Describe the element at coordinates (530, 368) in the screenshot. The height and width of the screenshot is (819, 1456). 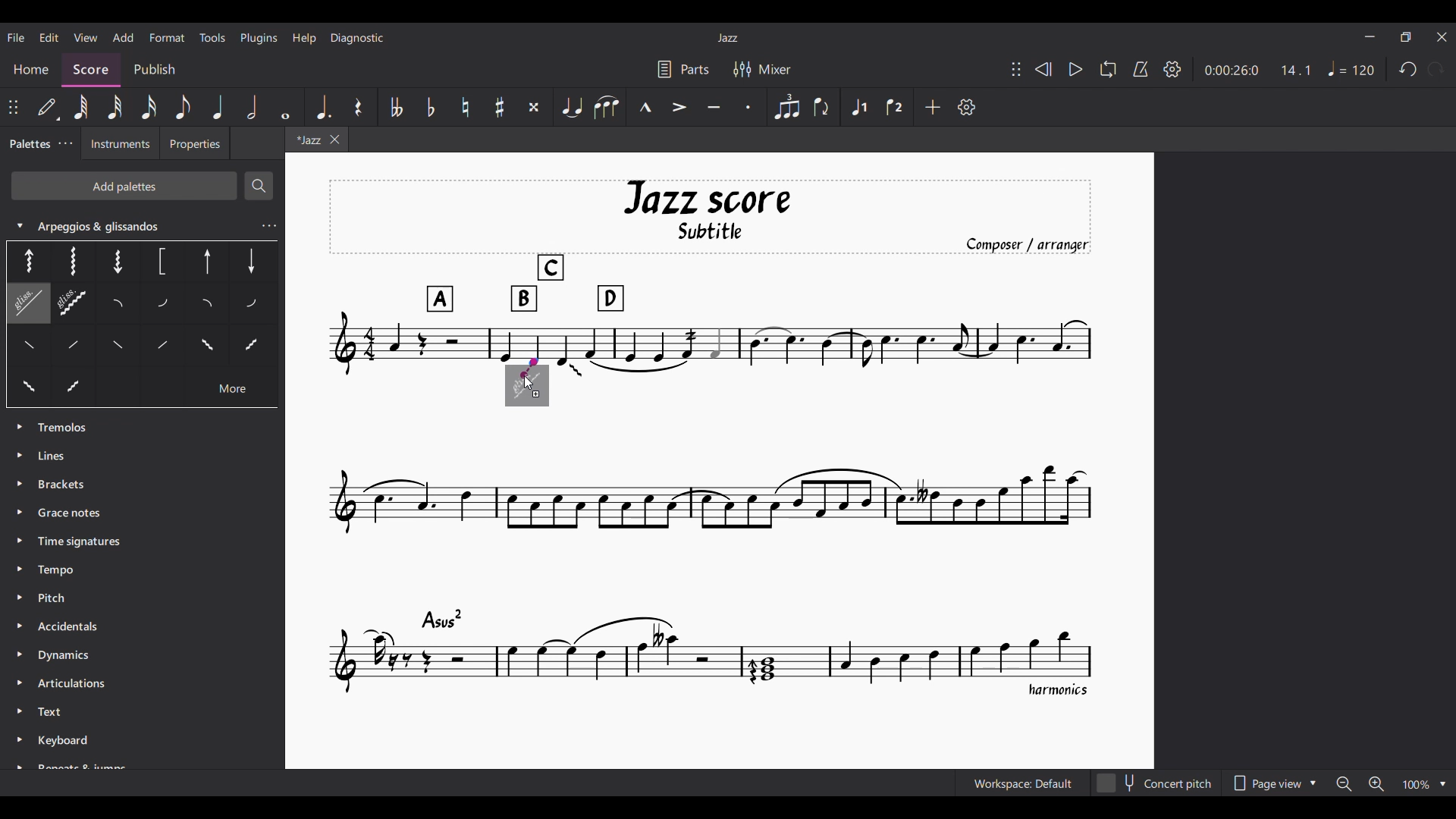
I see `Indicates point of contact` at that location.